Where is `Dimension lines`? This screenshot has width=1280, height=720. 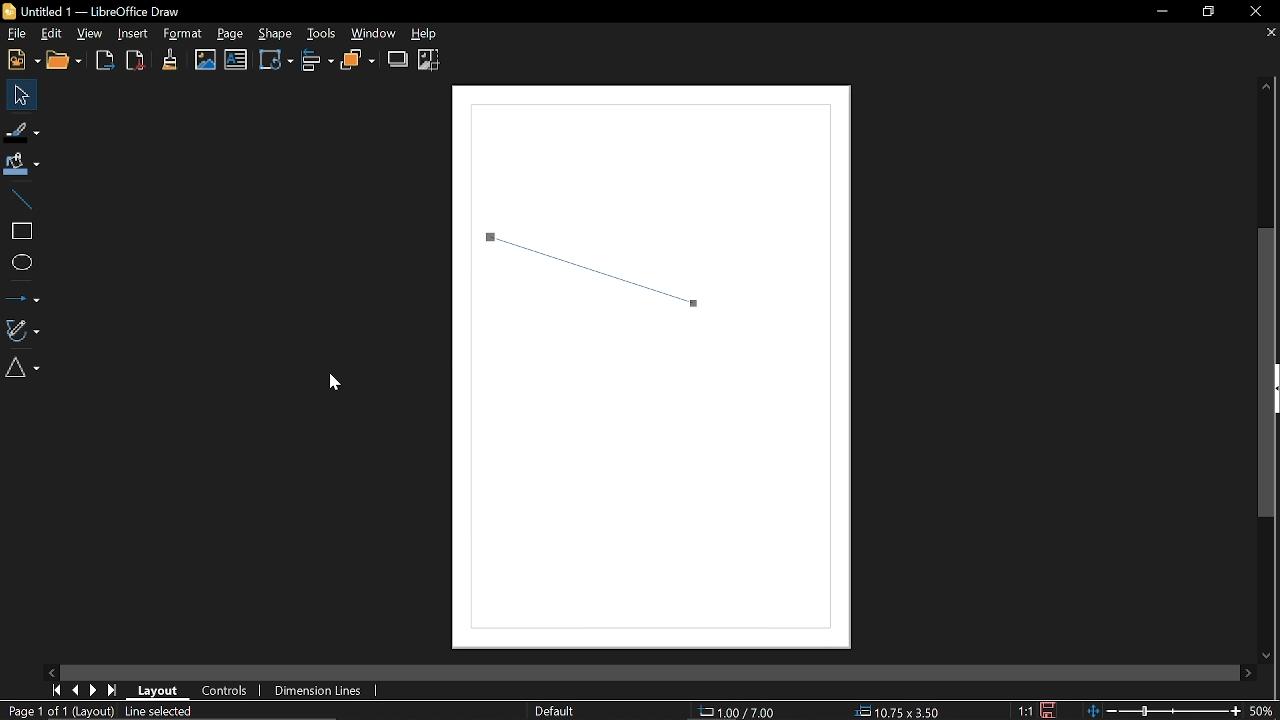
Dimension lines is located at coordinates (322, 689).